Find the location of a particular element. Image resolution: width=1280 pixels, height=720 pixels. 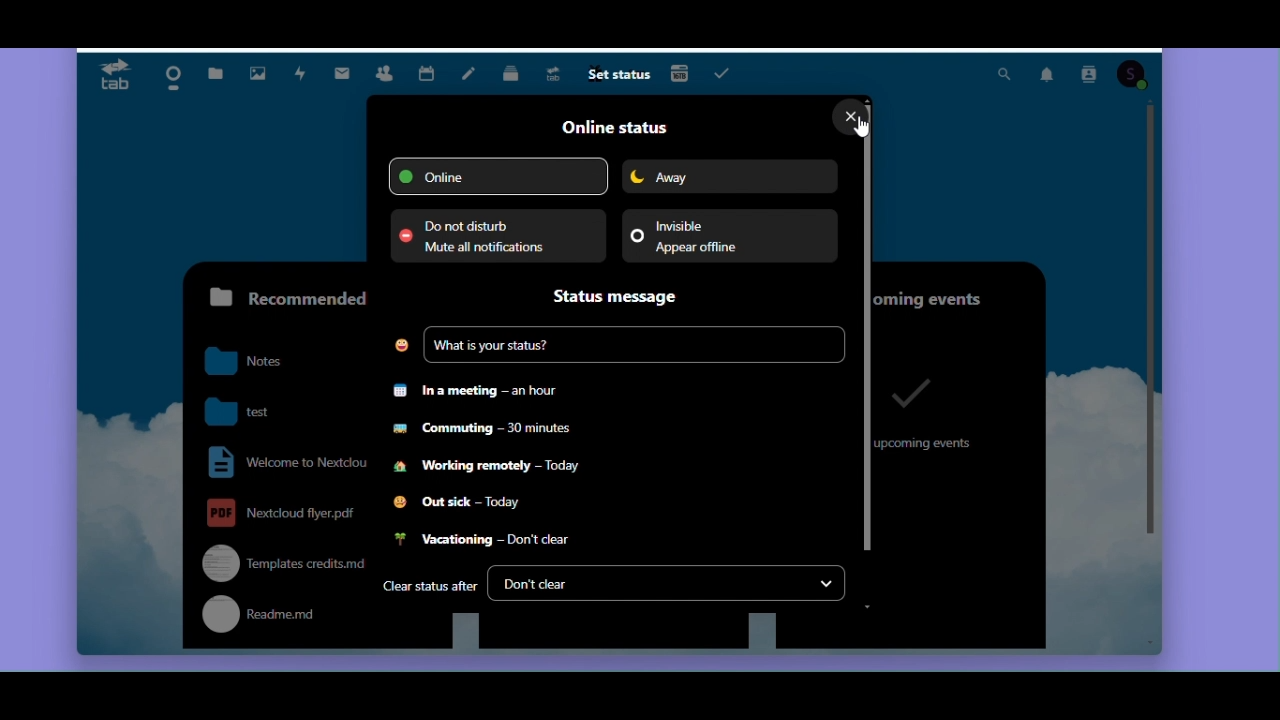

What's your status is located at coordinates (618, 346).